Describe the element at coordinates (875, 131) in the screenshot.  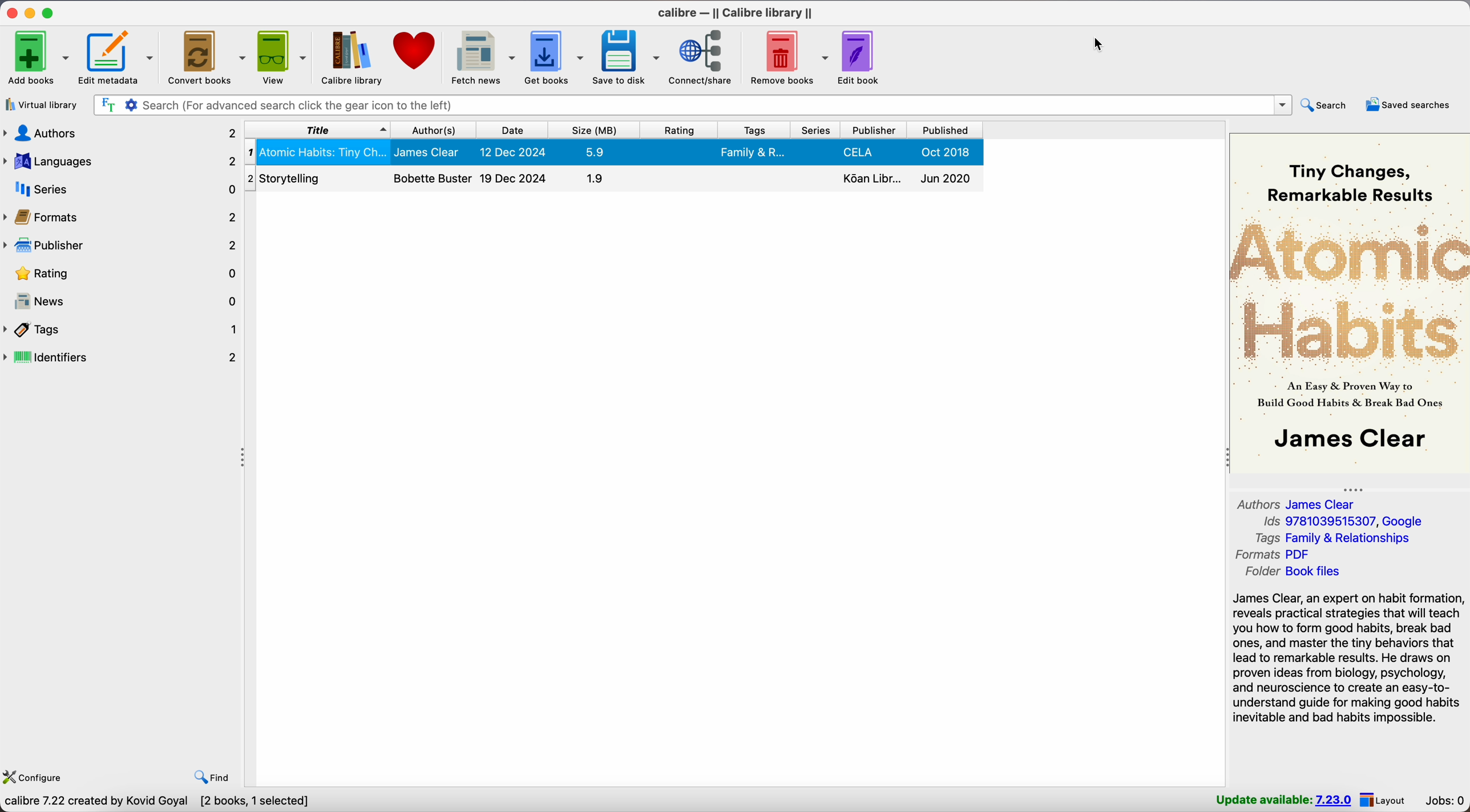
I see `publisher` at that location.